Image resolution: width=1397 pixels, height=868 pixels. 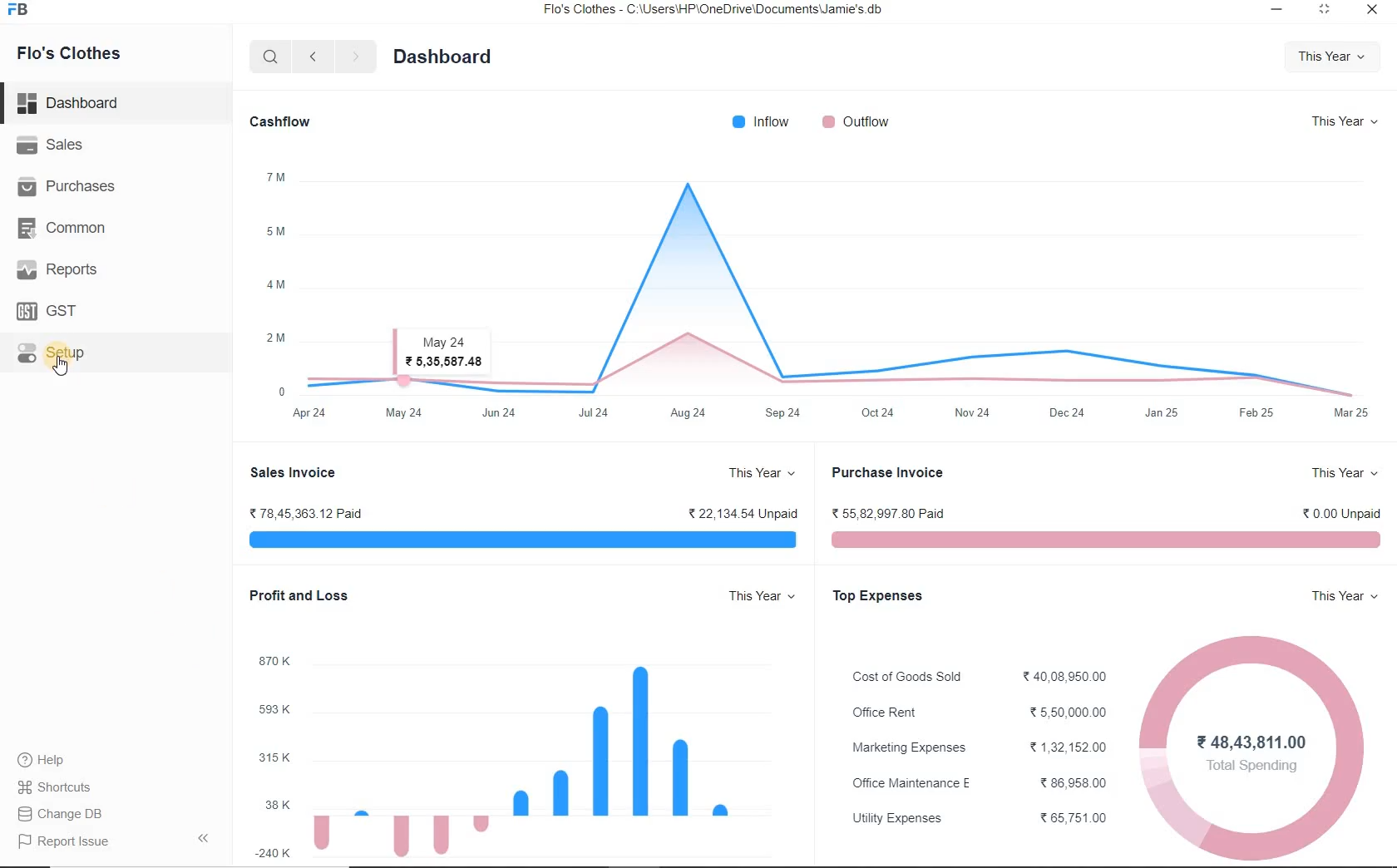 What do you see at coordinates (70, 813) in the screenshot?
I see ` Change DB` at bounding box center [70, 813].